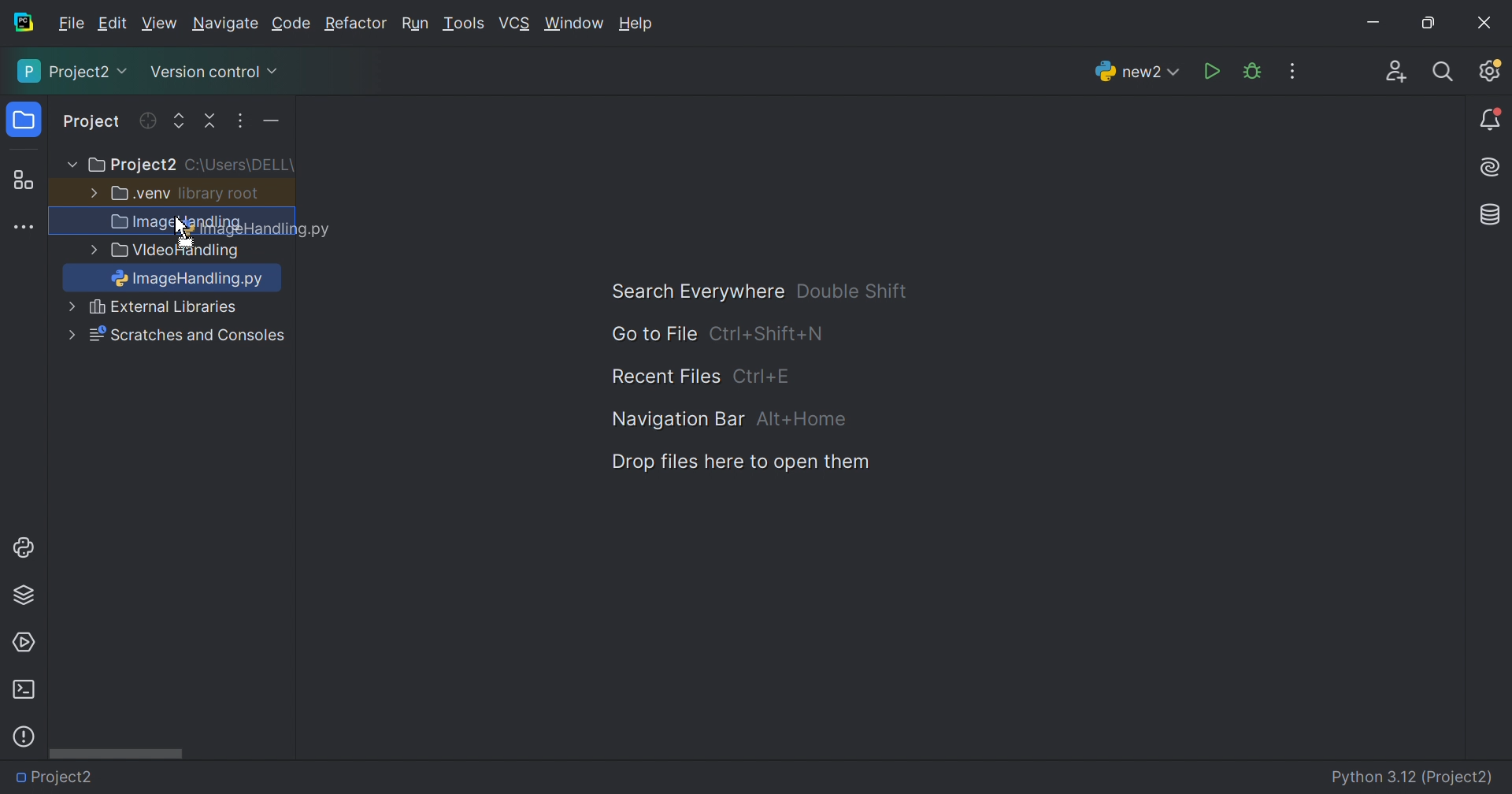 Image resolution: width=1512 pixels, height=794 pixels. Describe the element at coordinates (673, 418) in the screenshot. I see `Navigation Bar` at that location.